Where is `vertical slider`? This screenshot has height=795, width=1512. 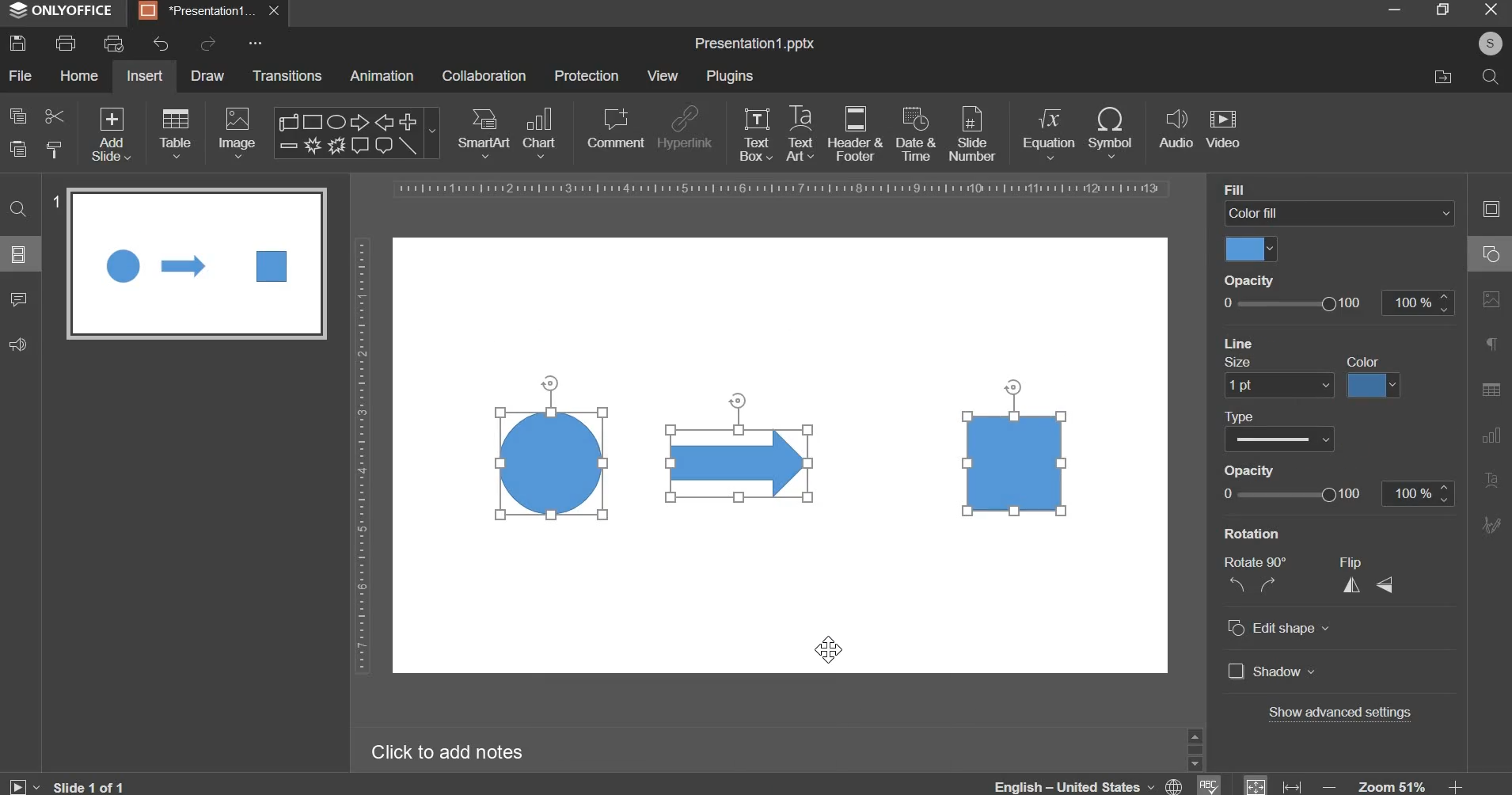
vertical slider is located at coordinates (1195, 748).